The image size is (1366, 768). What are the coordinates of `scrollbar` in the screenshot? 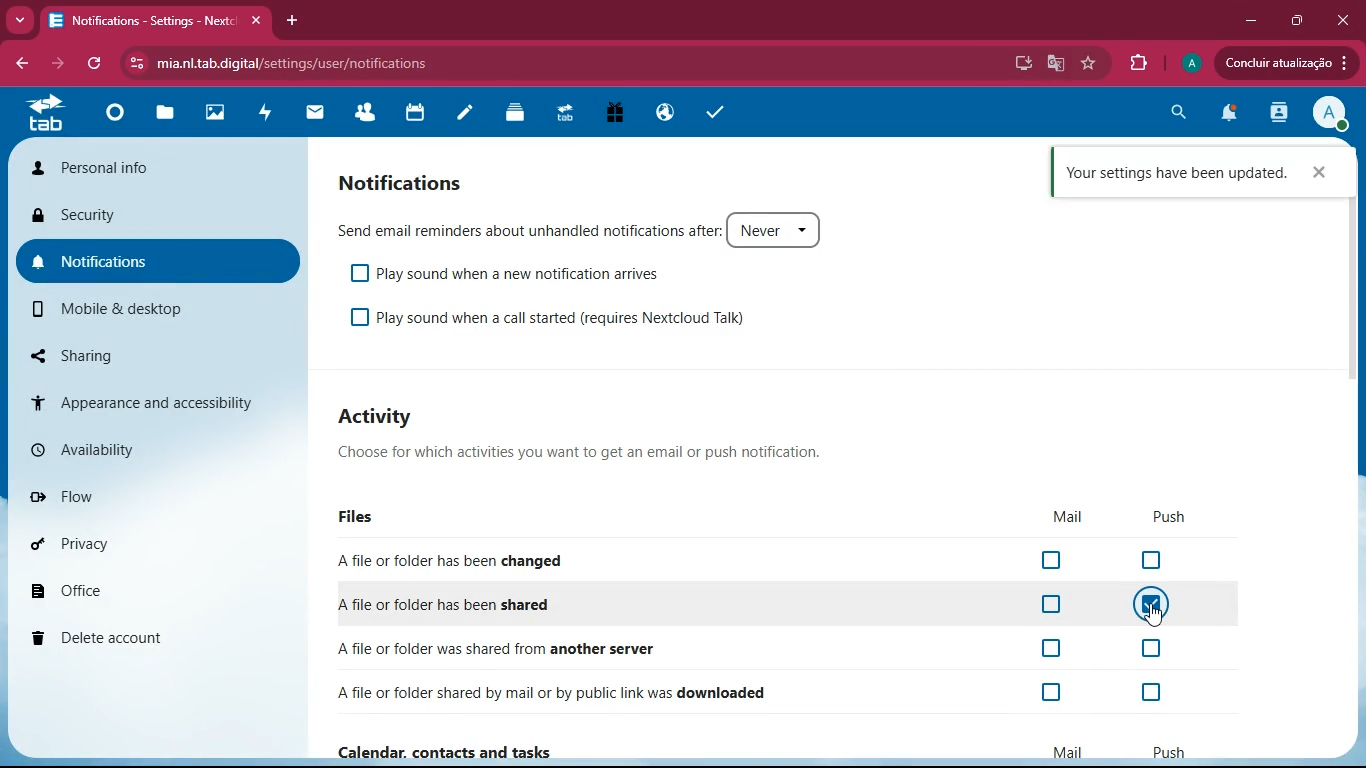 It's located at (1354, 315).